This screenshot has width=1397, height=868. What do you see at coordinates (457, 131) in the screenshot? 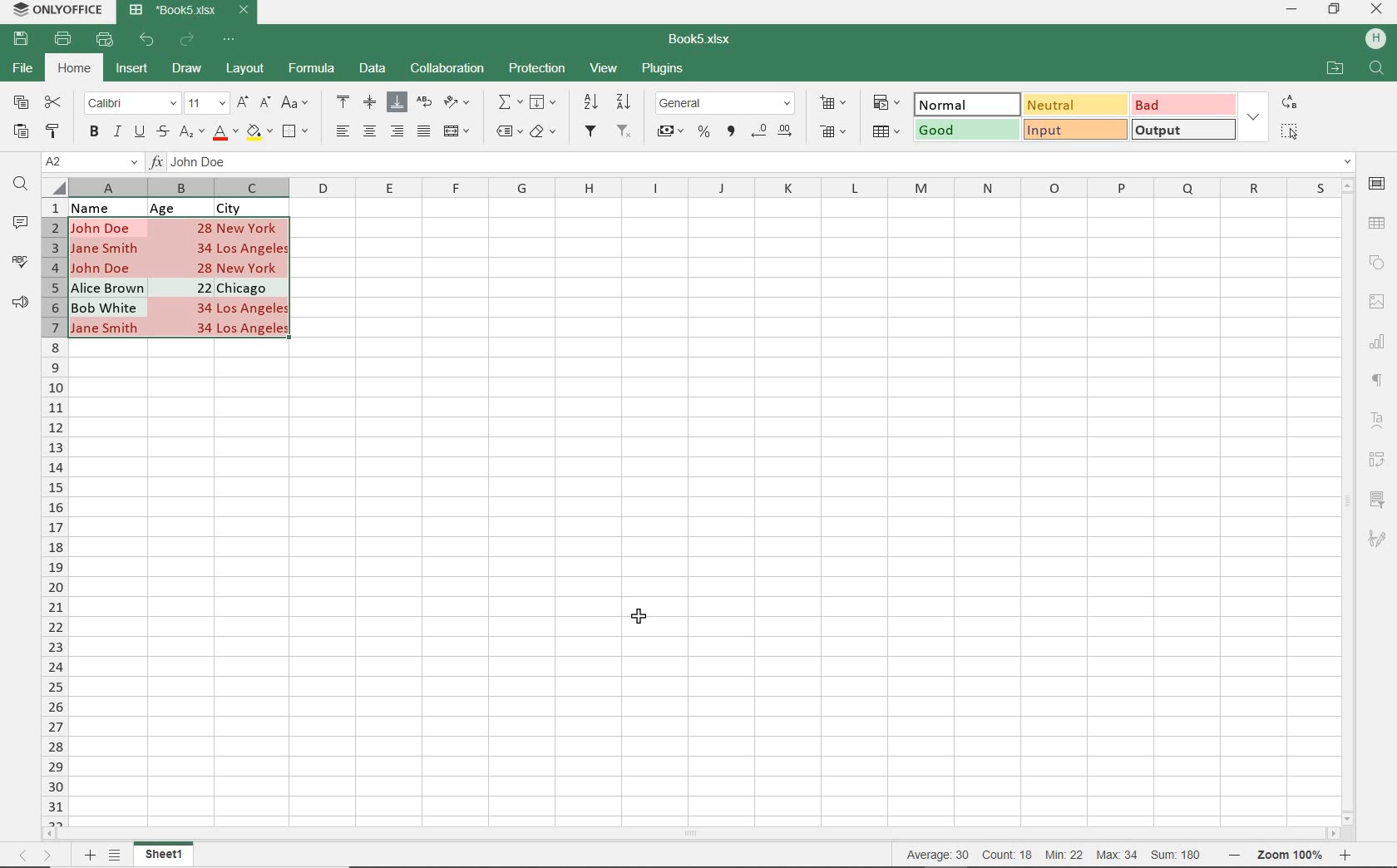
I see `MERGE & CENTER` at bounding box center [457, 131].